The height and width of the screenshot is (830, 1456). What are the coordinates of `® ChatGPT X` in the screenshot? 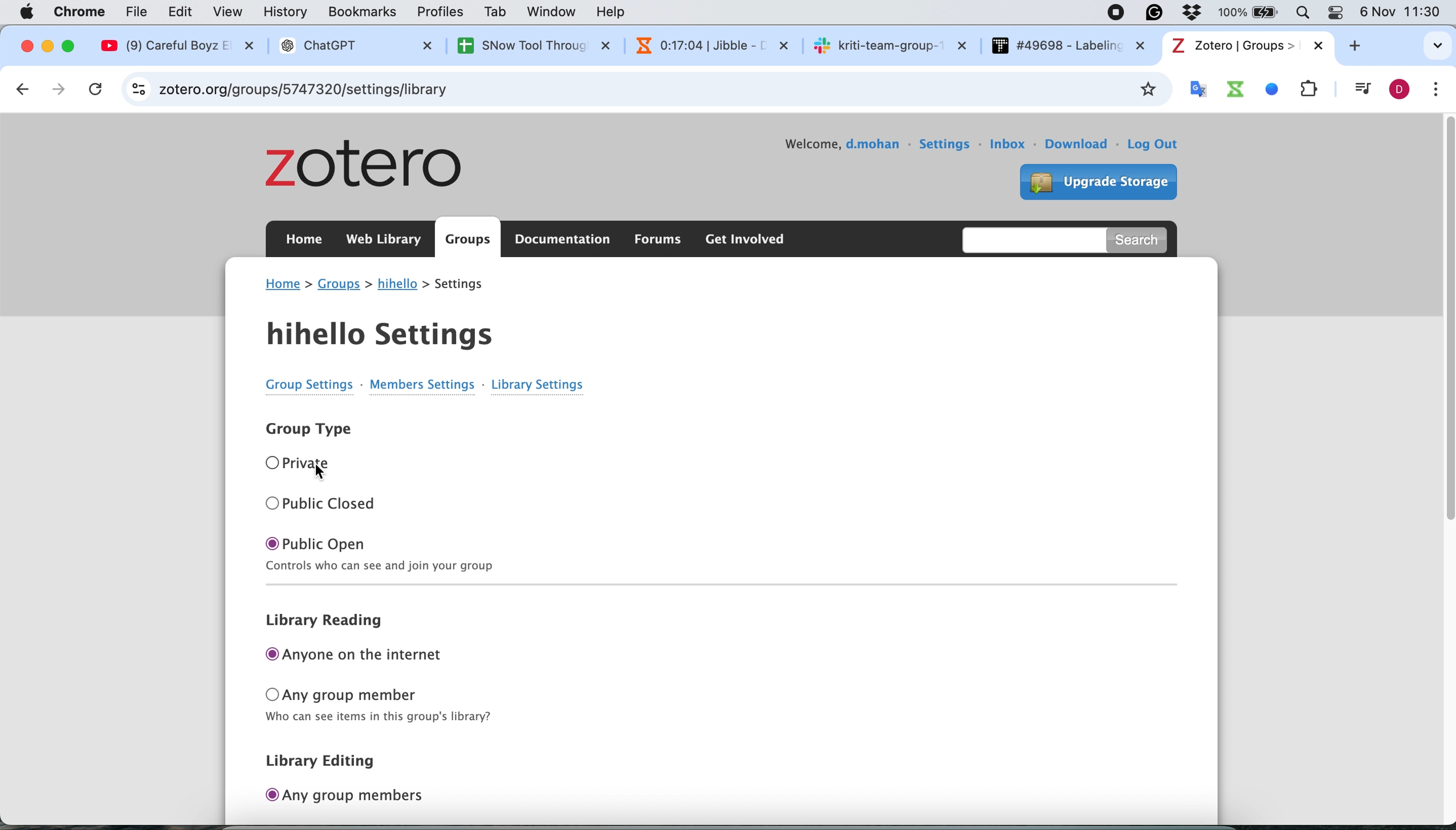 It's located at (353, 46).